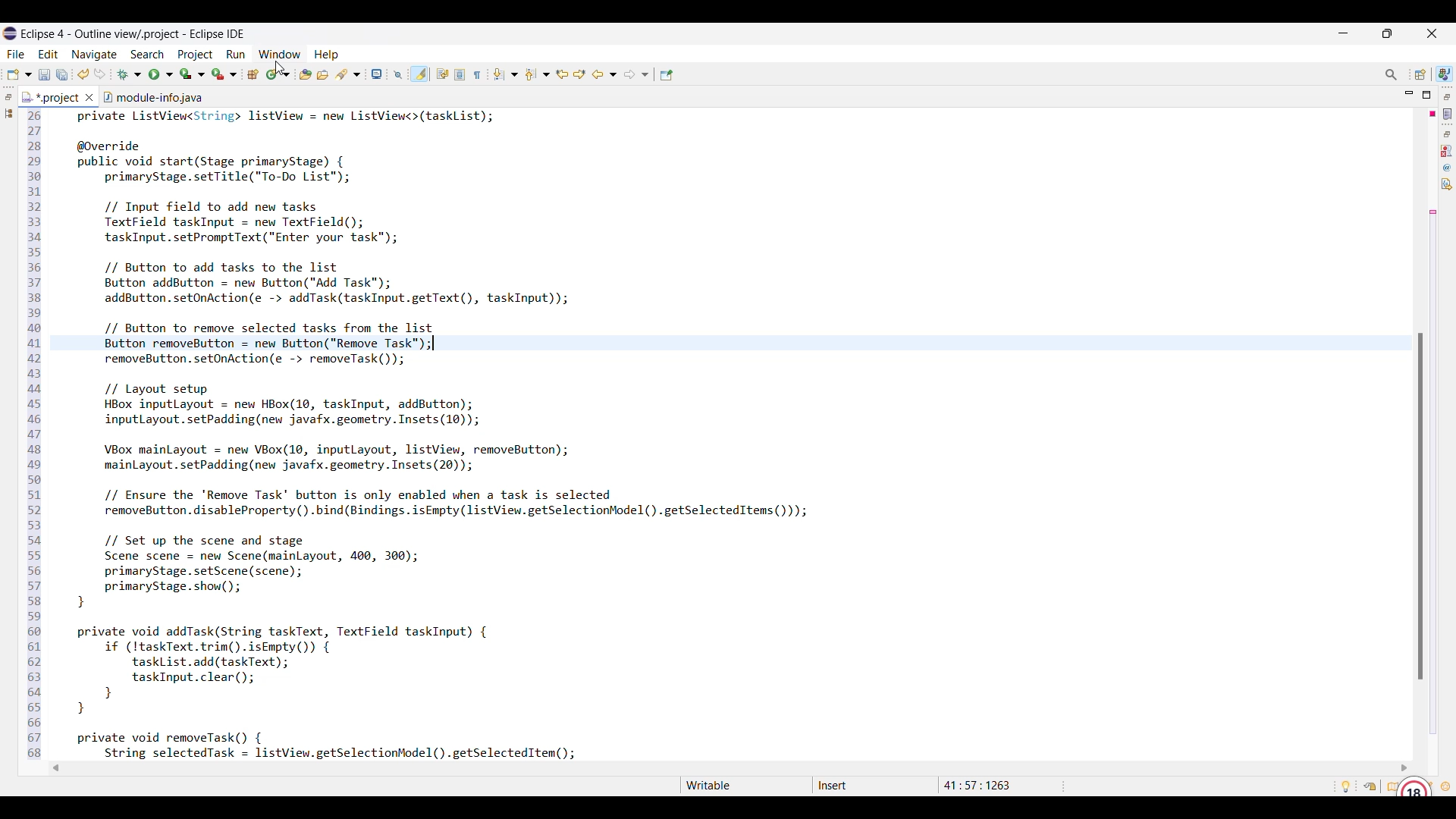  I want to click on Toggle highlight current selection, so click(419, 74).